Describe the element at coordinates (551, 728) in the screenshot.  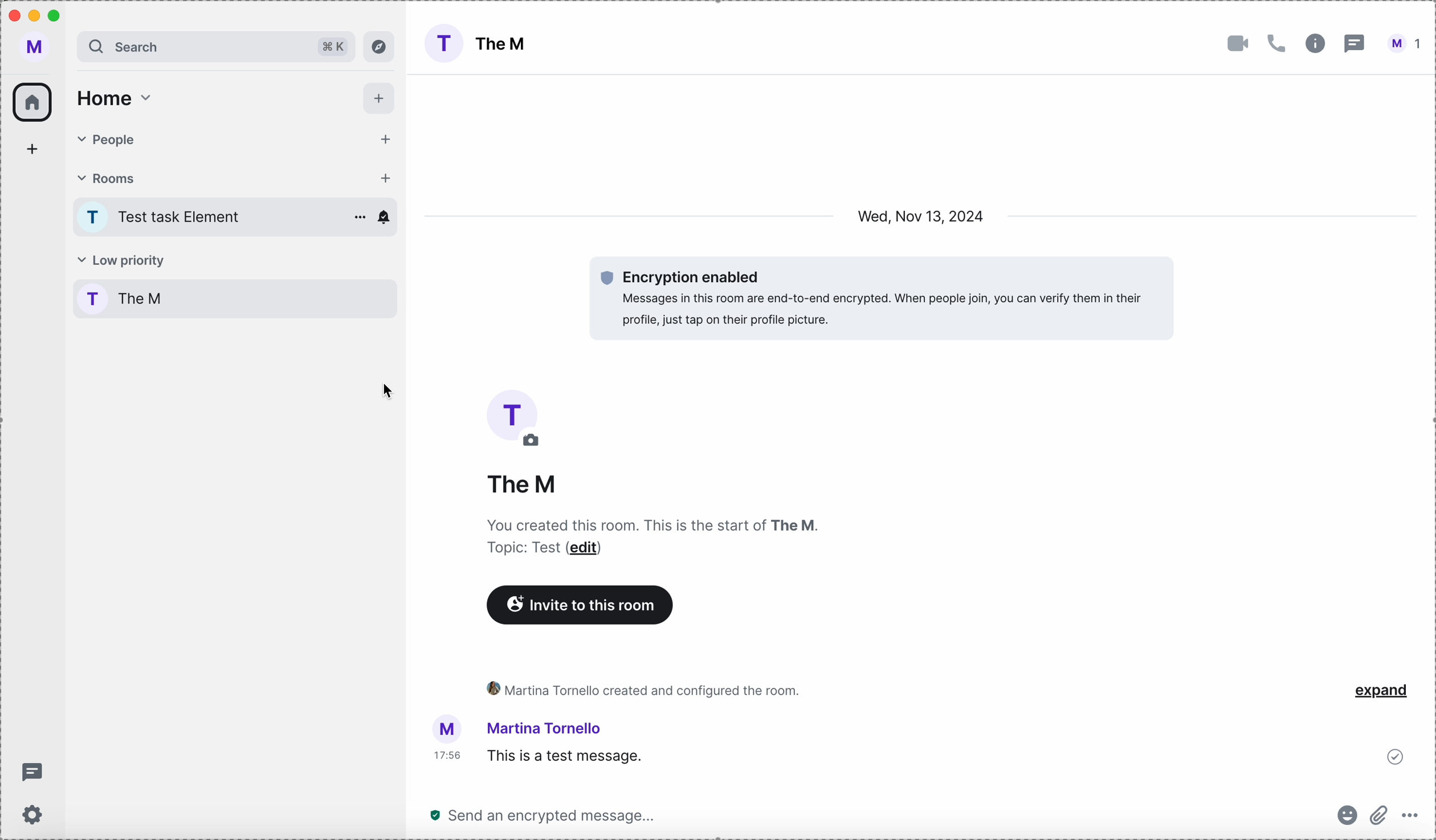
I see `user` at that location.